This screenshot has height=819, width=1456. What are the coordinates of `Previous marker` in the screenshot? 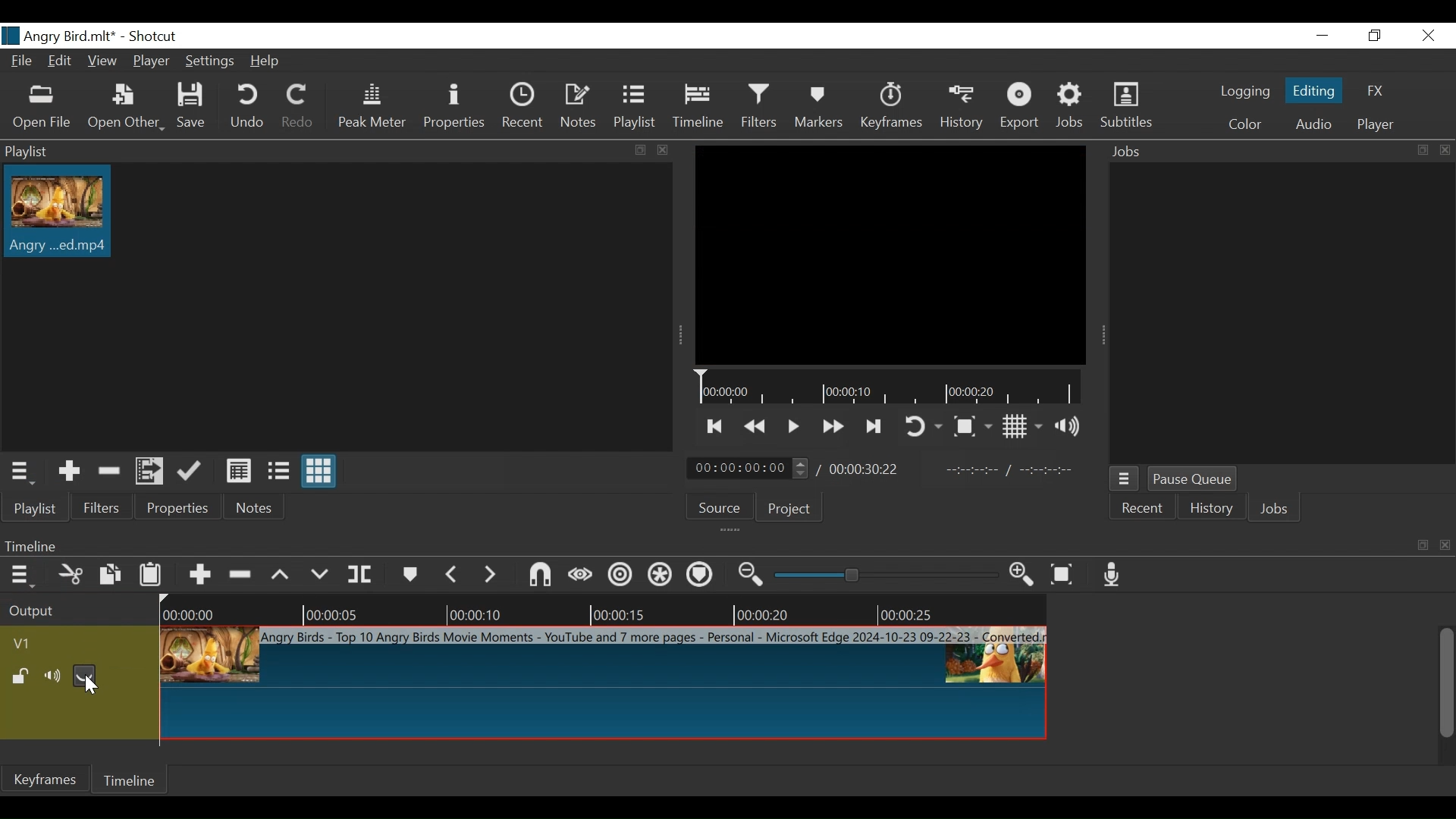 It's located at (452, 574).